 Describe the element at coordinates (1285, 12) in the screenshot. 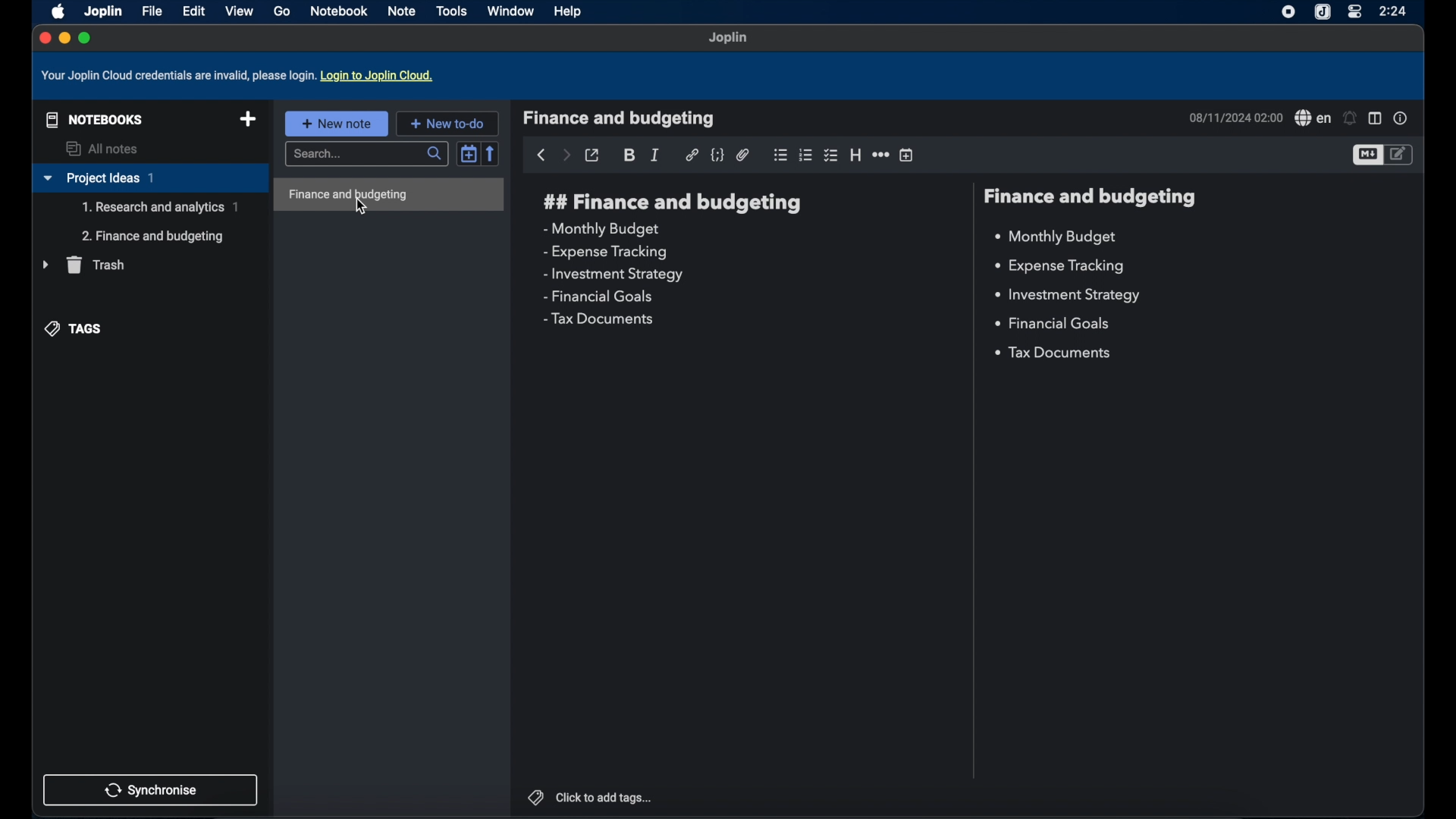

I see `screen recorder icon` at that location.